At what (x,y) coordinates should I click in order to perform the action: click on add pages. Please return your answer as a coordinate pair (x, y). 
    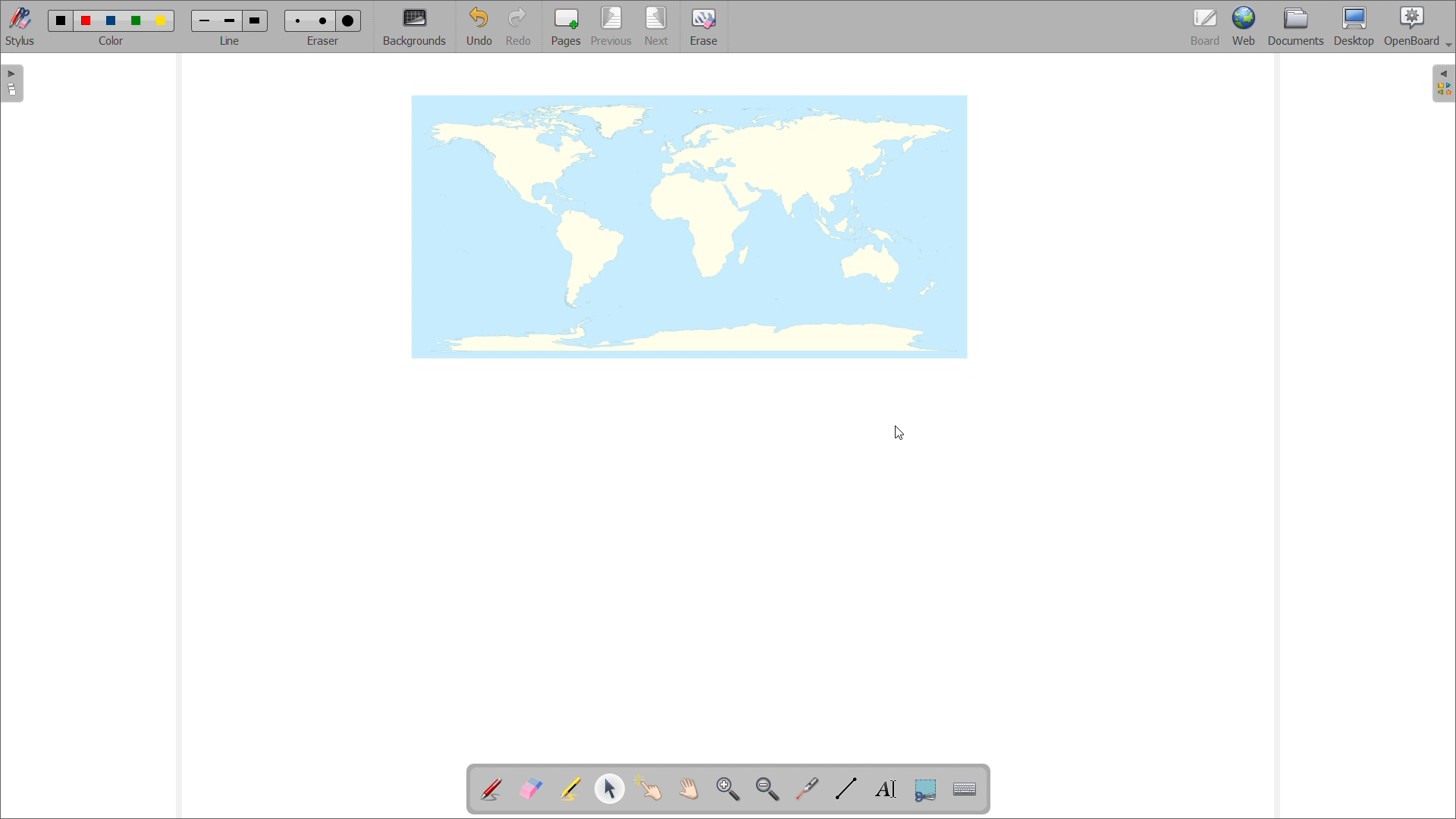
    Looking at the image, I should click on (564, 27).